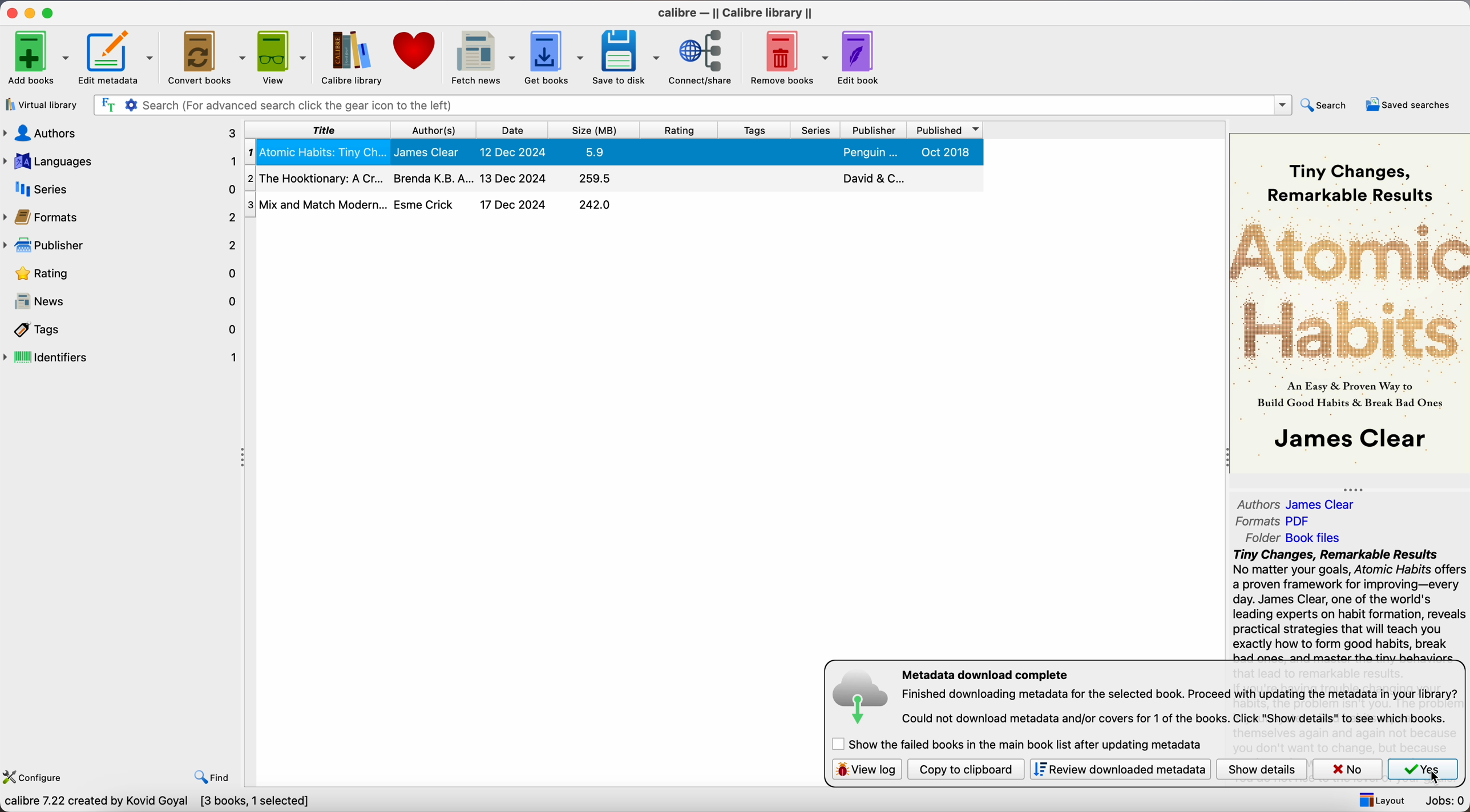 This screenshot has width=1470, height=812. I want to click on size, so click(595, 130).